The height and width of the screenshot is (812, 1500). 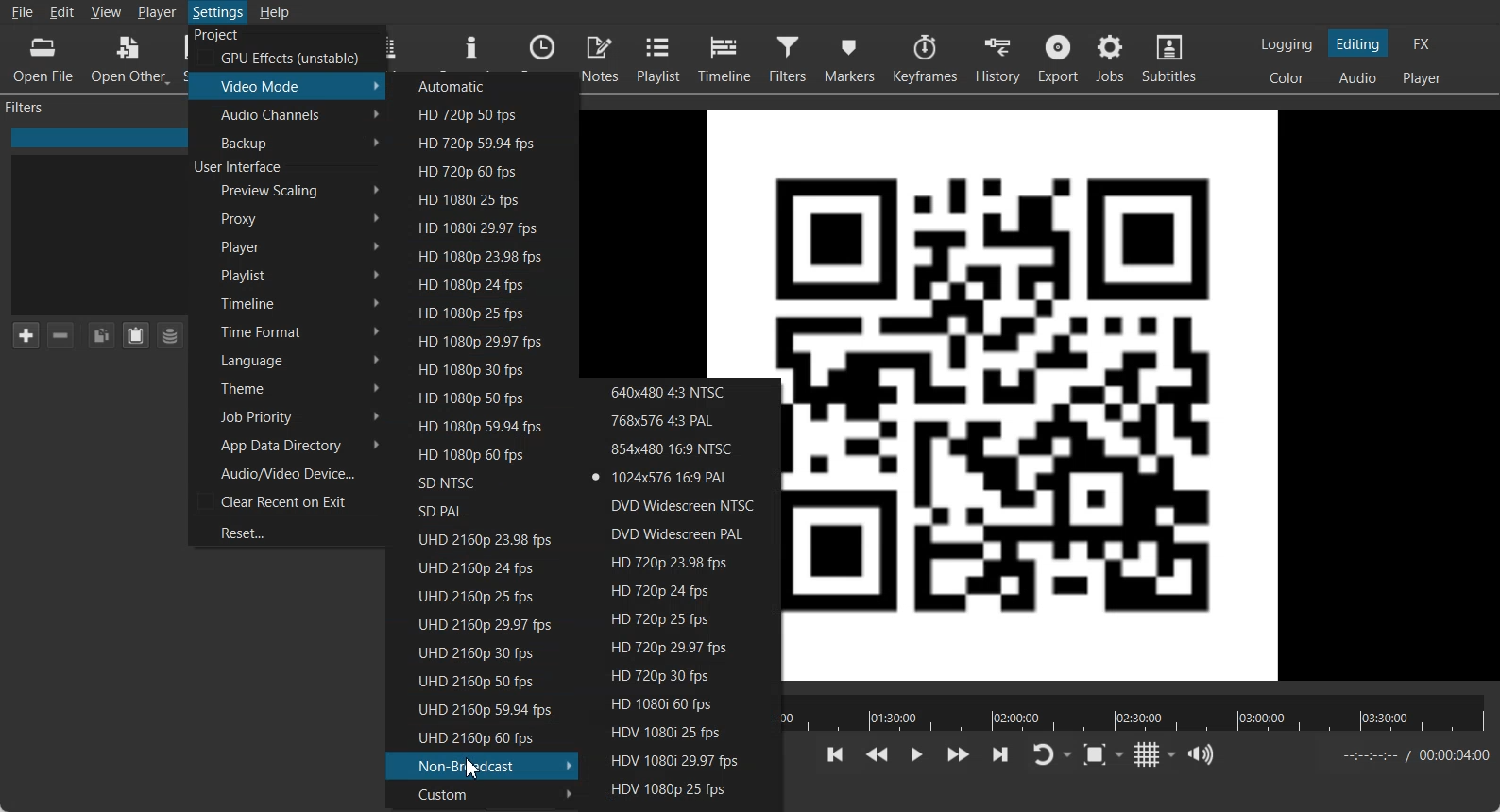 What do you see at coordinates (480, 228) in the screenshot?
I see `HD 1080i 29.98 fps` at bounding box center [480, 228].